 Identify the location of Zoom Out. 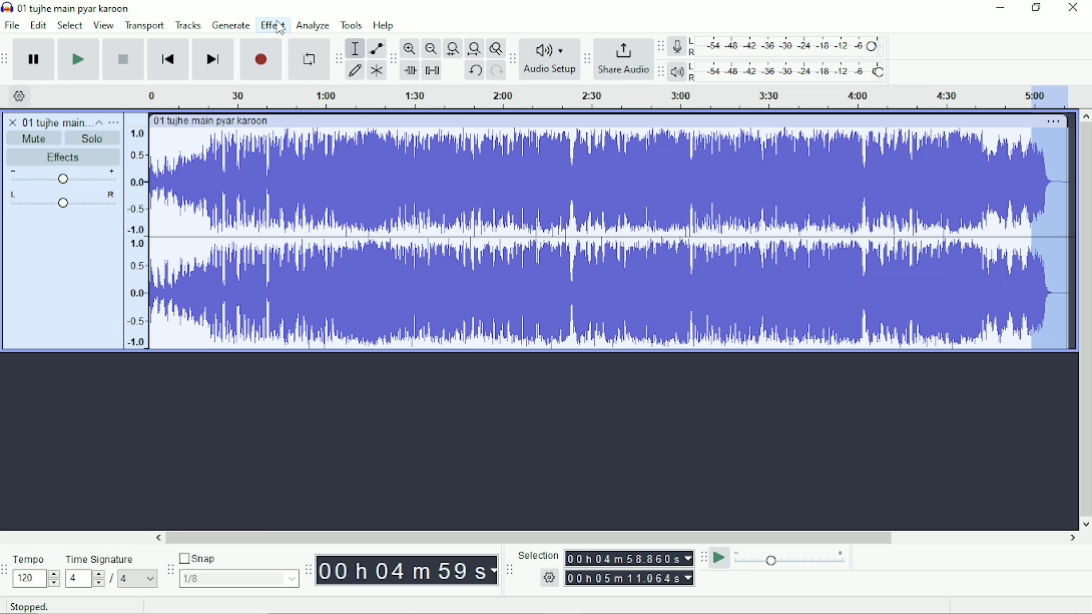
(431, 48).